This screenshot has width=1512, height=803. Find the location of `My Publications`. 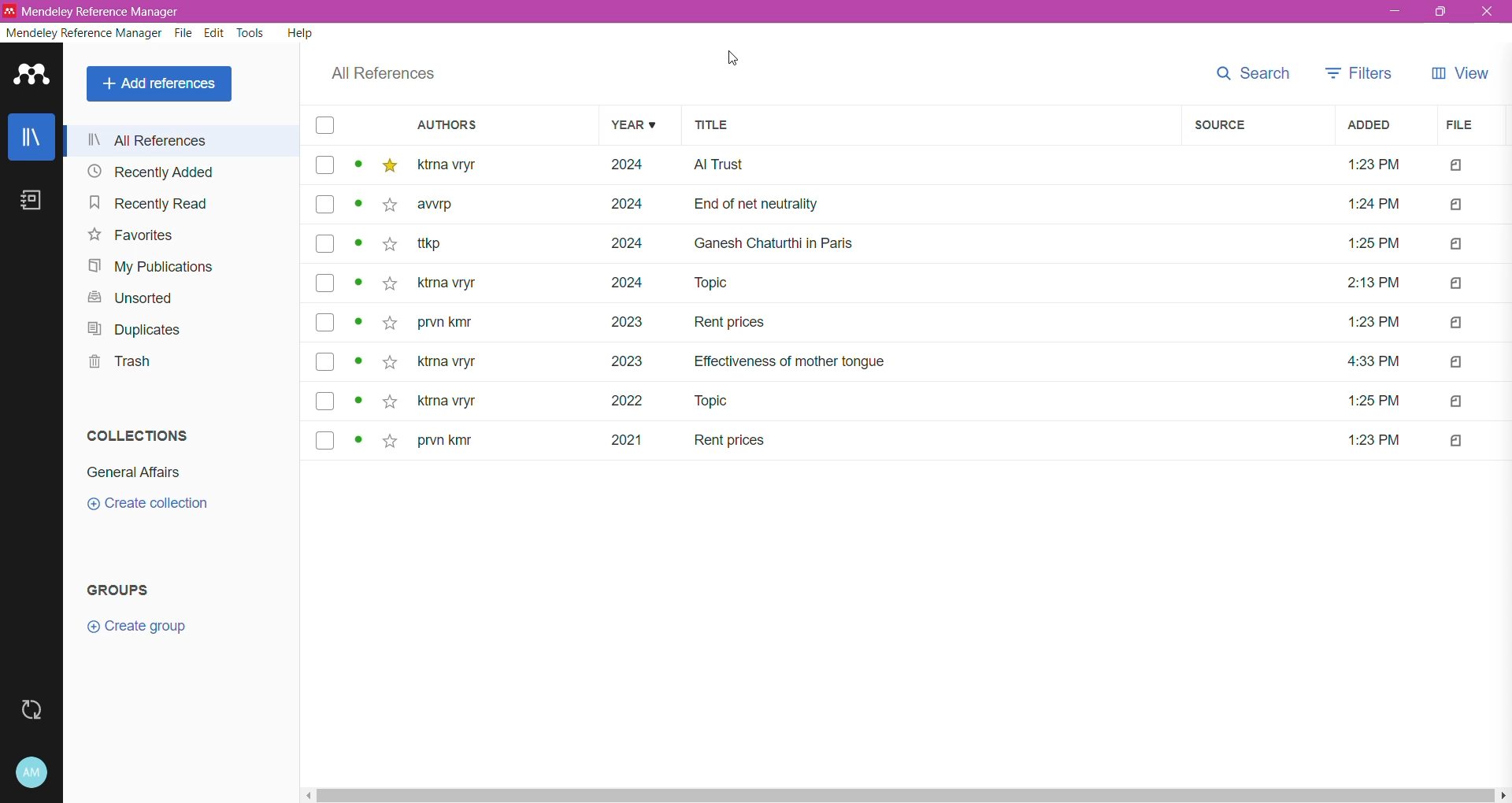

My Publications is located at coordinates (156, 266).